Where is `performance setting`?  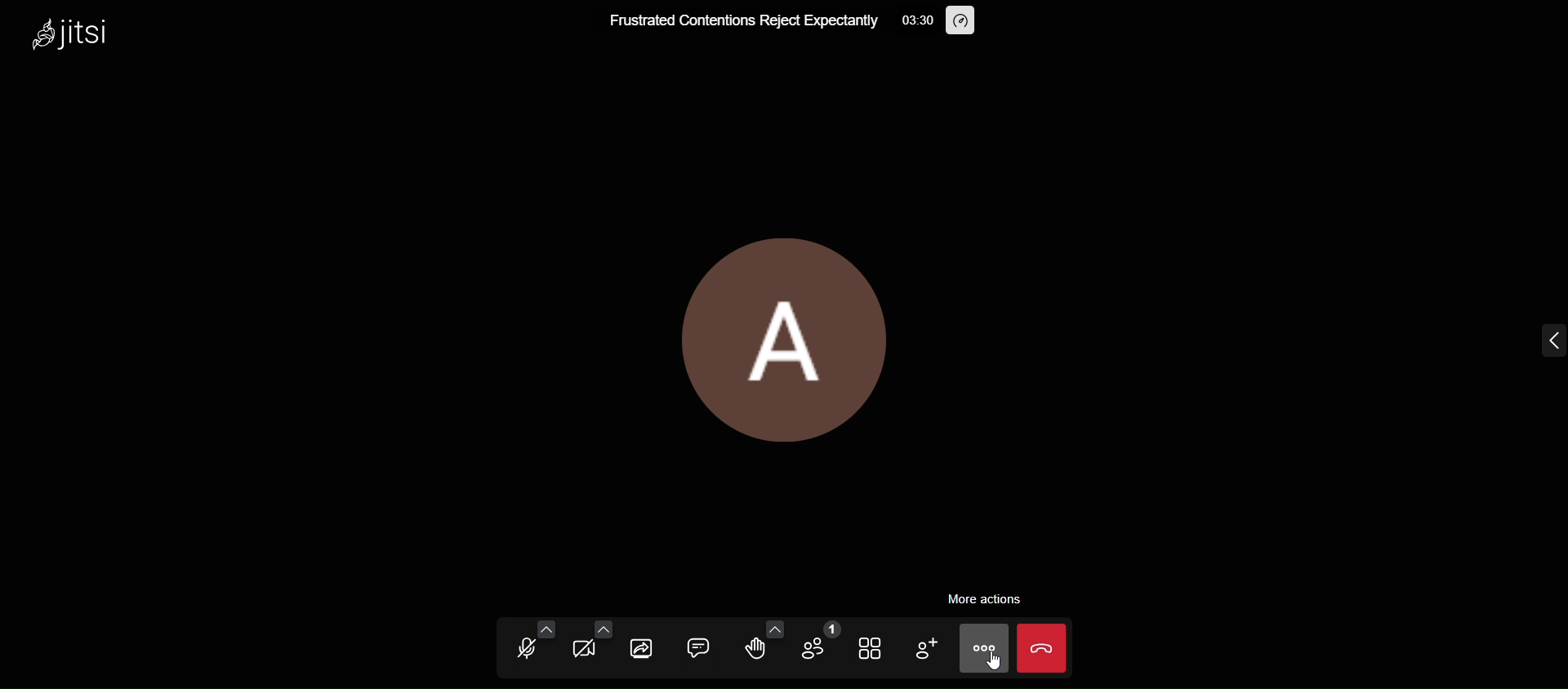 performance setting is located at coordinates (971, 24).